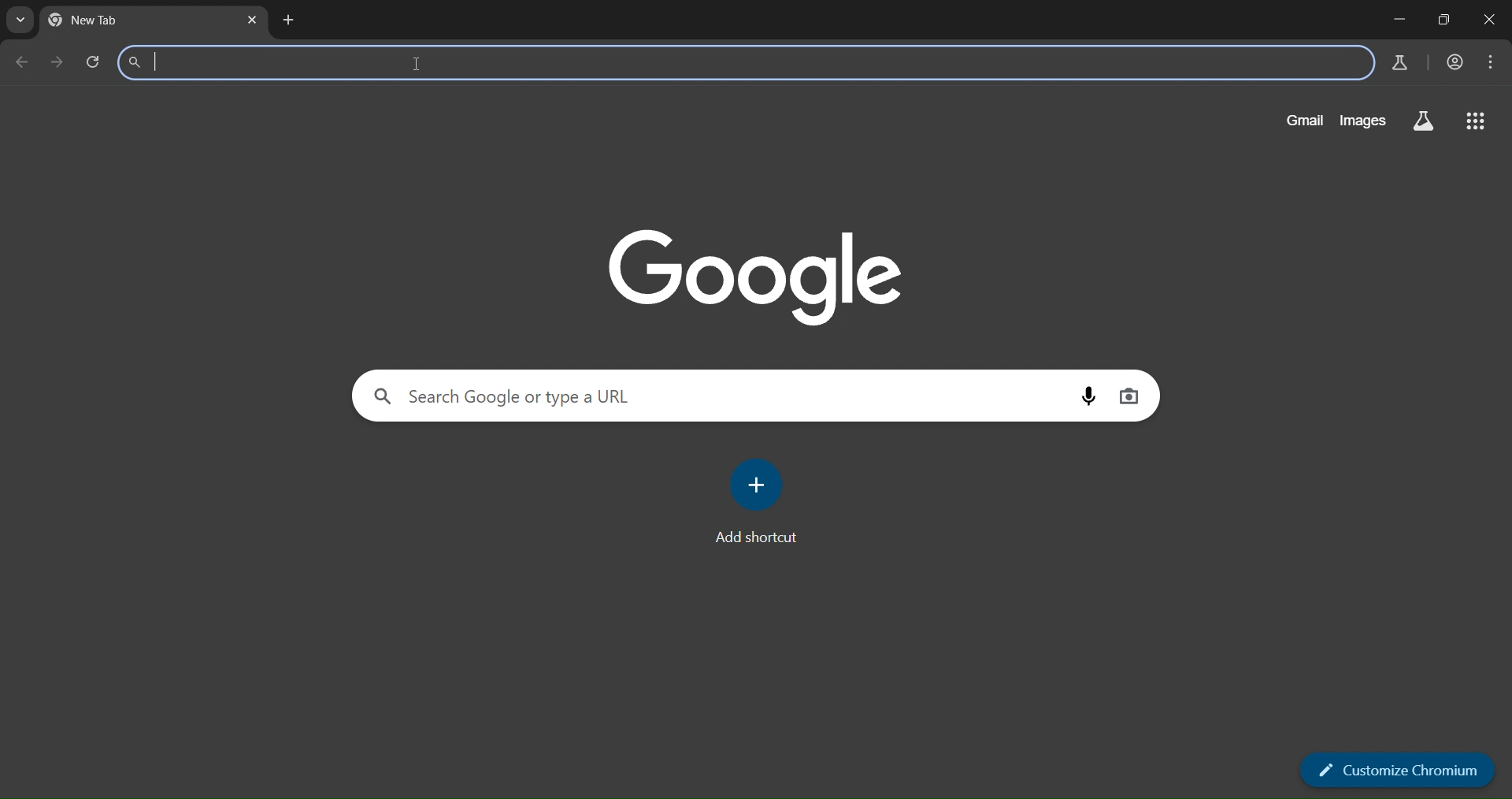  I want to click on google apps, so click(1478, 121).